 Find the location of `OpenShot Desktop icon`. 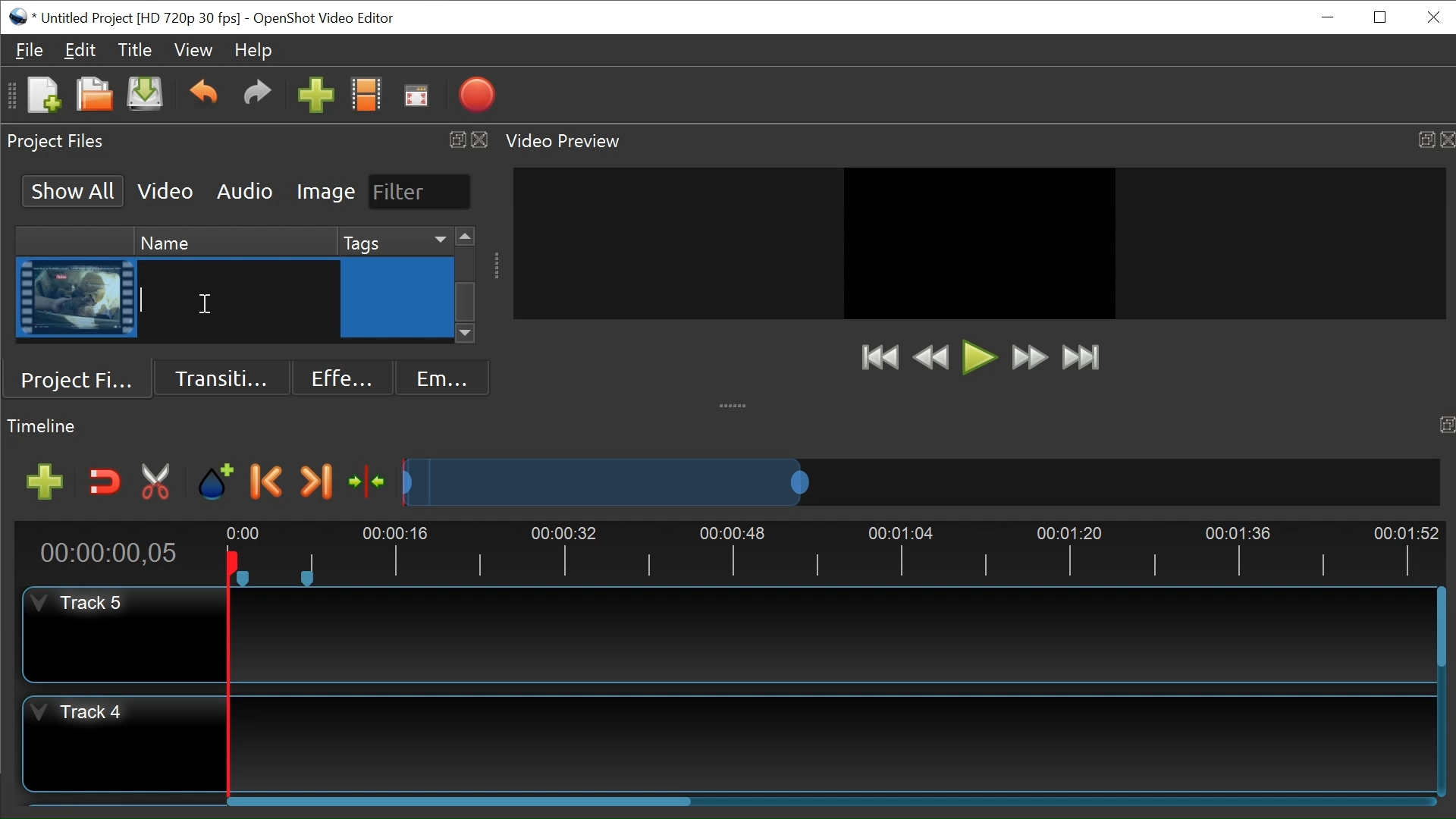

OpenShot Desktop icon is located at coordinates (19, 15).